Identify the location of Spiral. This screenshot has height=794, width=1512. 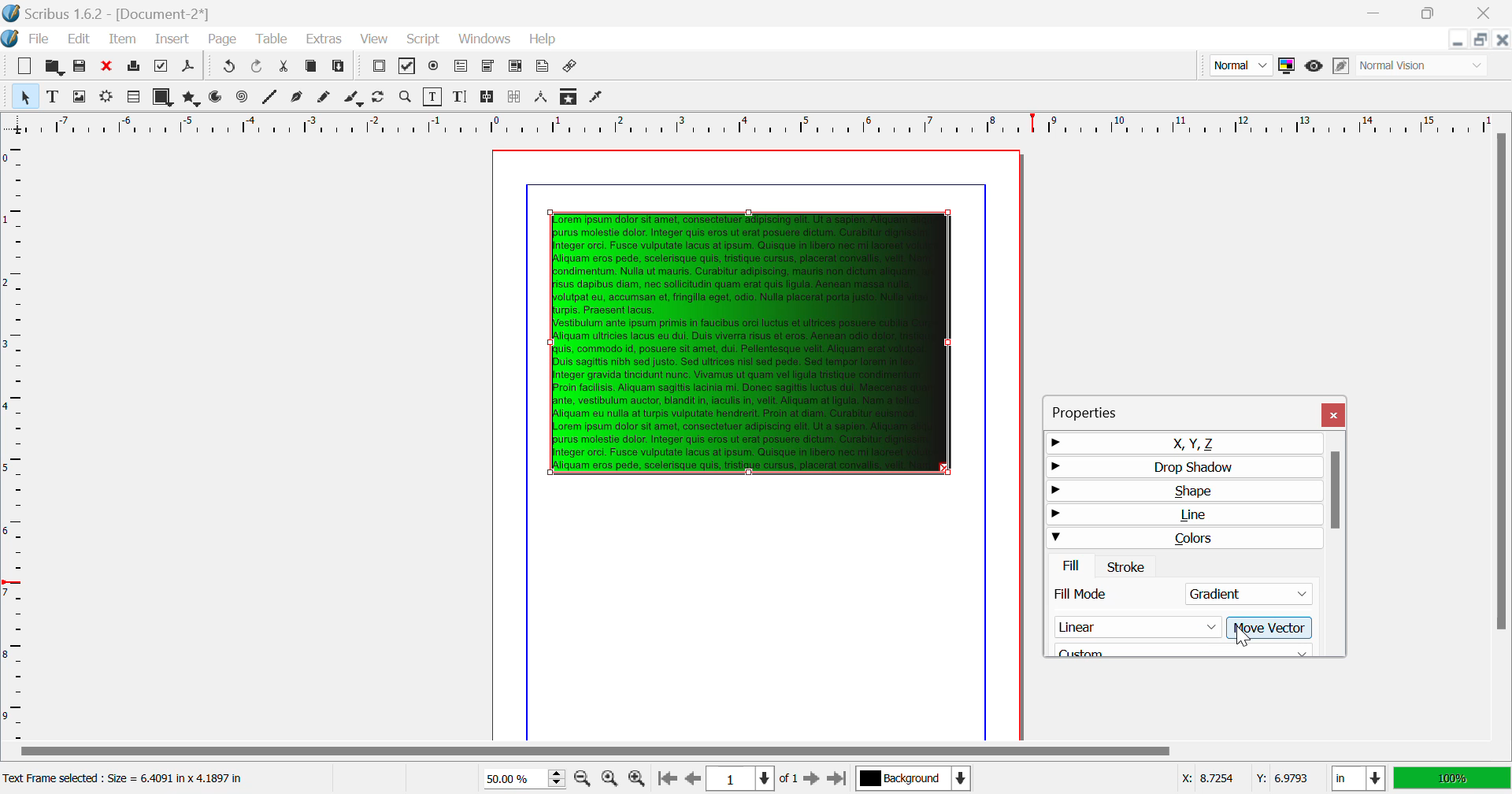
(242, 98).